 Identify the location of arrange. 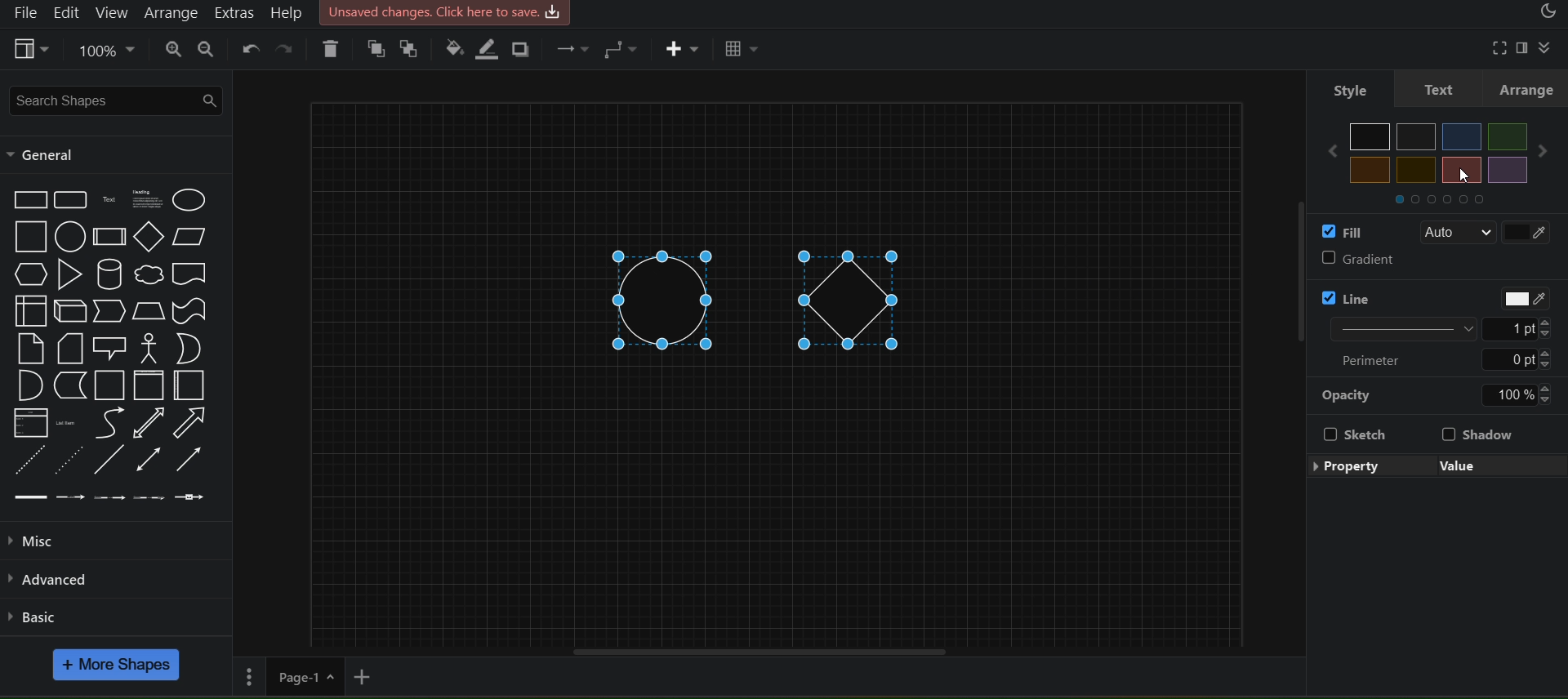
(1522, 88).